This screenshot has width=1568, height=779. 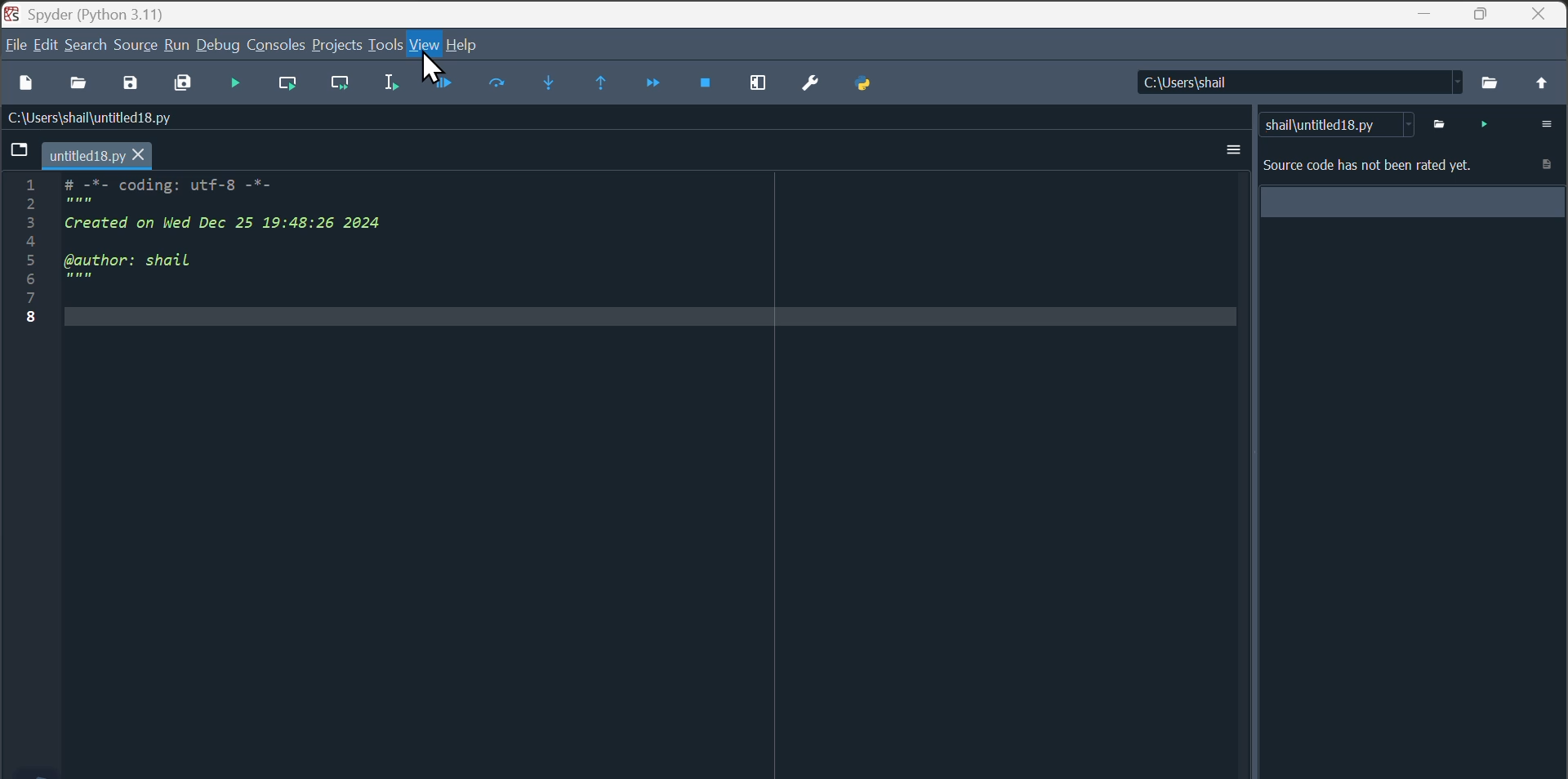 I want to click on Search, so click(x=87, y=43).